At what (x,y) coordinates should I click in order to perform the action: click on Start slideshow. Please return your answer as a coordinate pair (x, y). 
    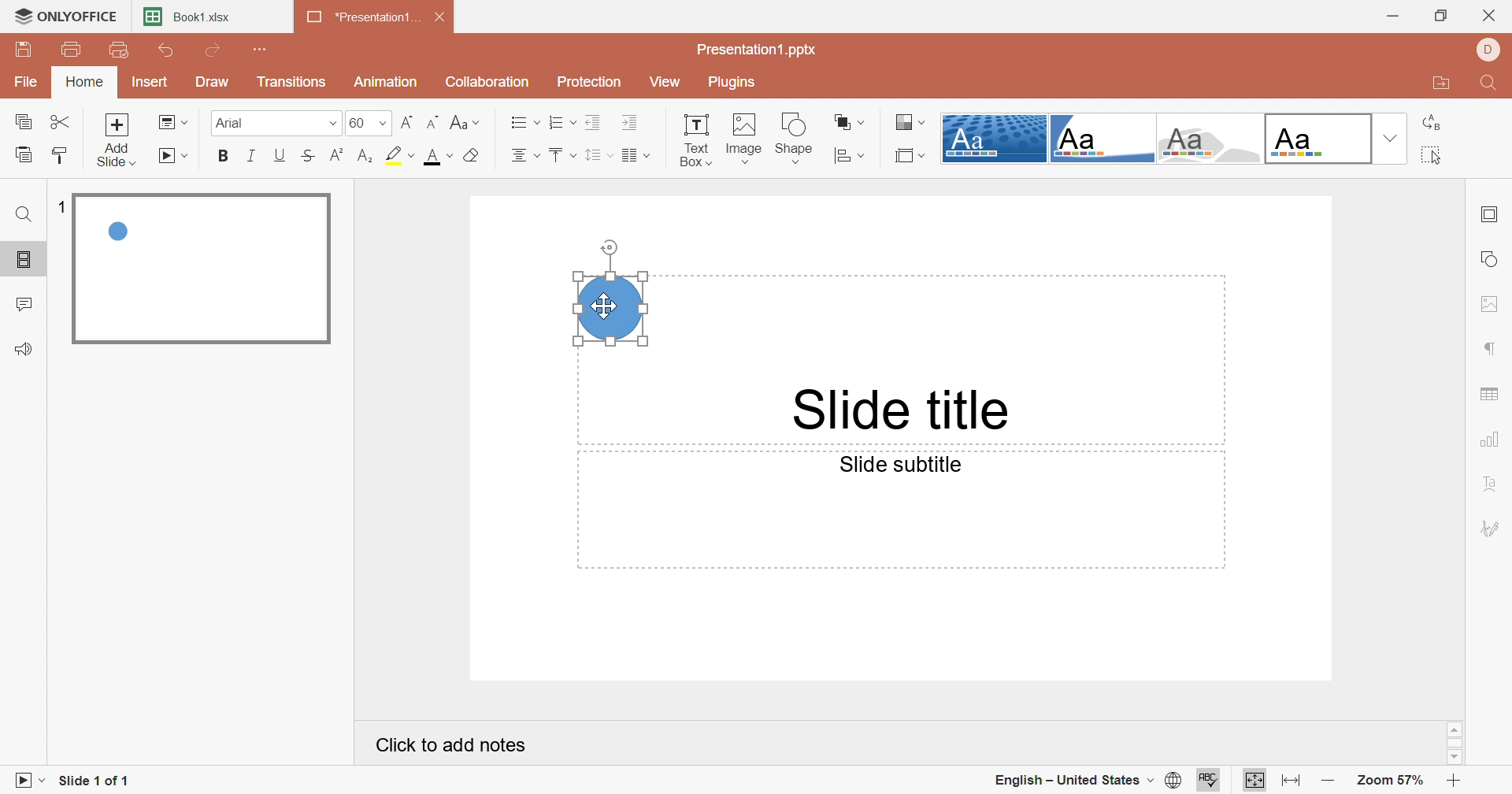
    Looking at the image, I should click on (175, 156).